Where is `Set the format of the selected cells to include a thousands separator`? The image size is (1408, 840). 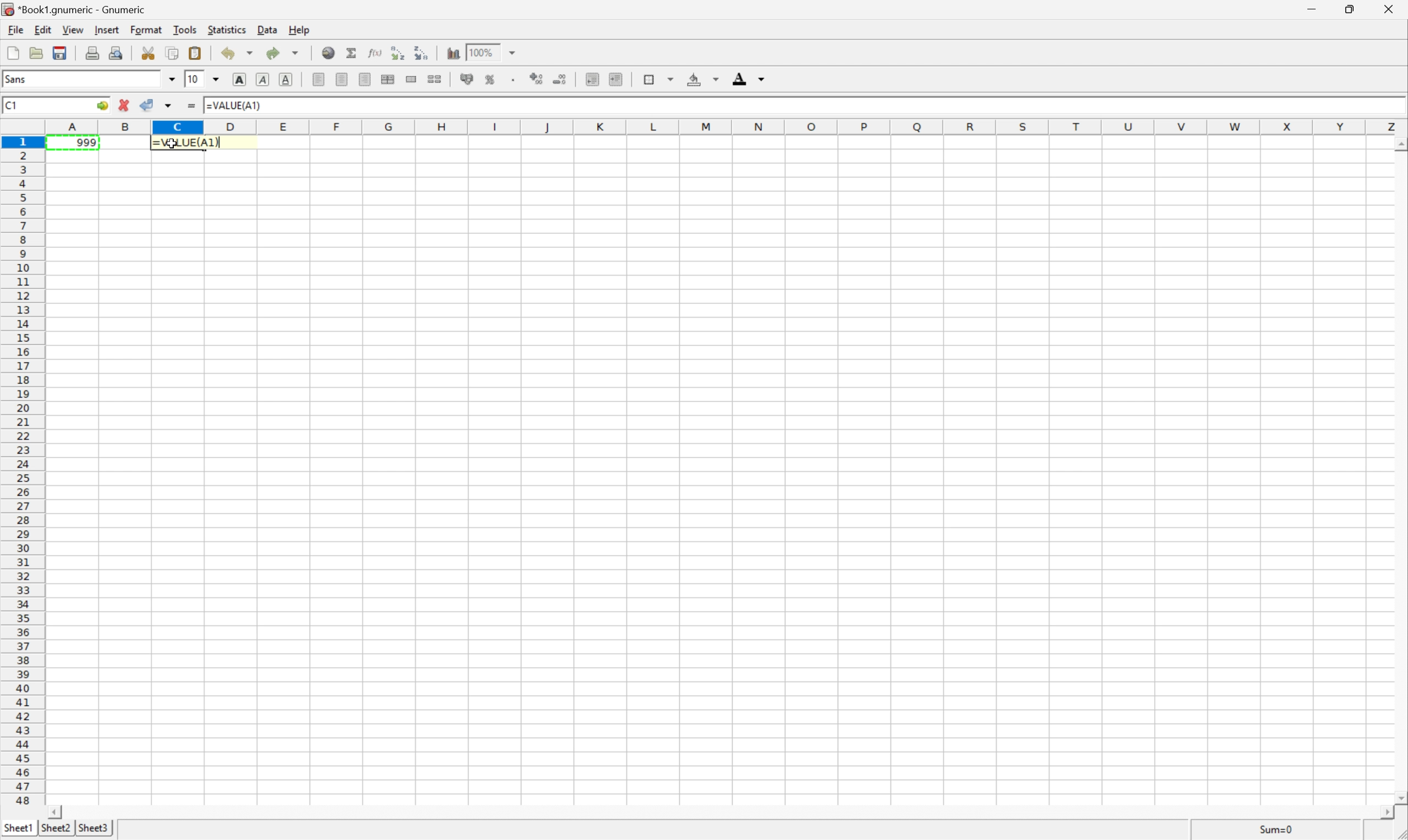 Set the format of the selected cells to include a thousands separator is located at coordinates (514, 79).